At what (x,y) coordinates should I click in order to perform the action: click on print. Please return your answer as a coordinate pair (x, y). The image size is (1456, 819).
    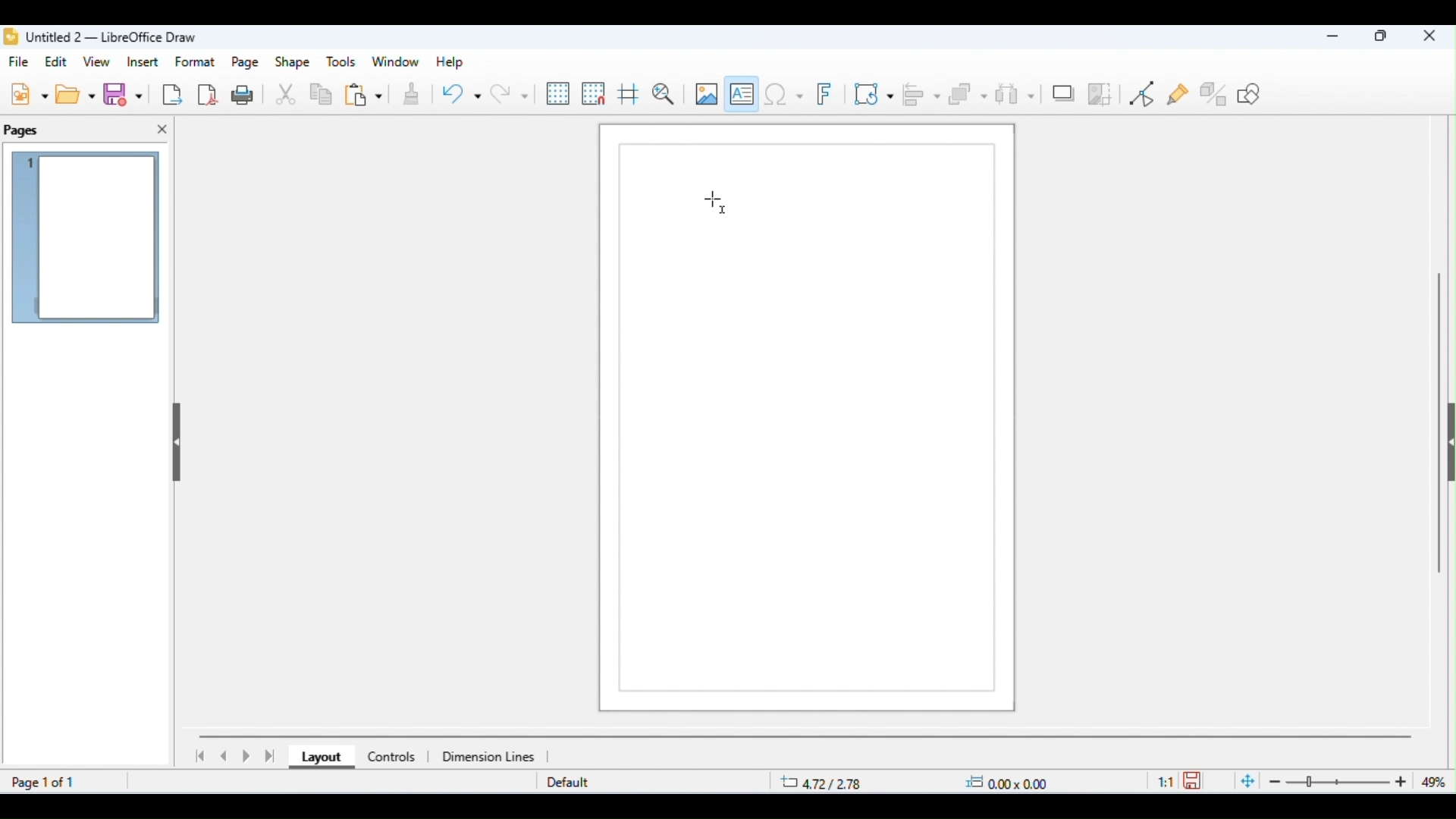
    Looking at the image, I should click on (246, 94).